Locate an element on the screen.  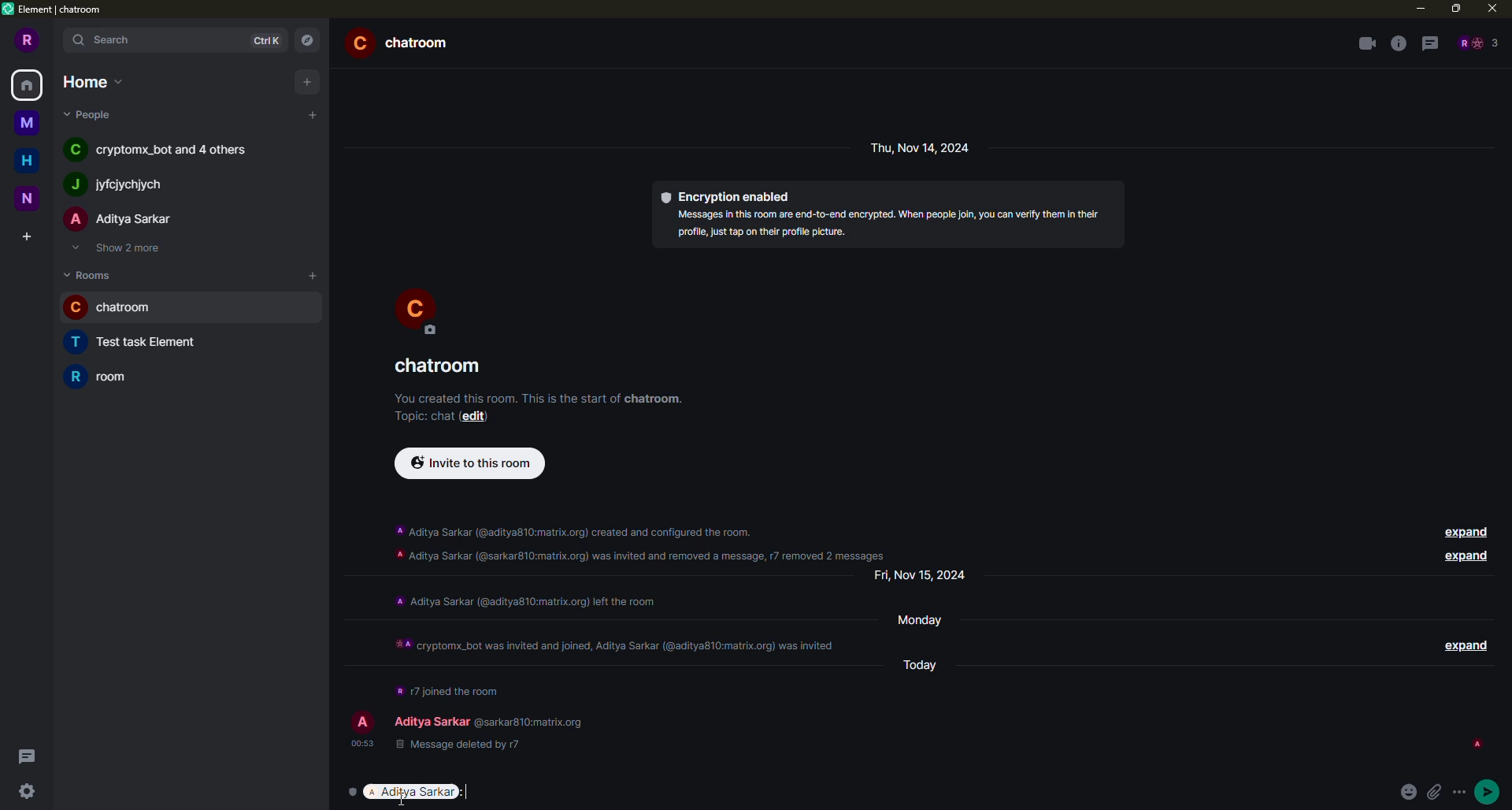
space is located at coordinates (25, 120).